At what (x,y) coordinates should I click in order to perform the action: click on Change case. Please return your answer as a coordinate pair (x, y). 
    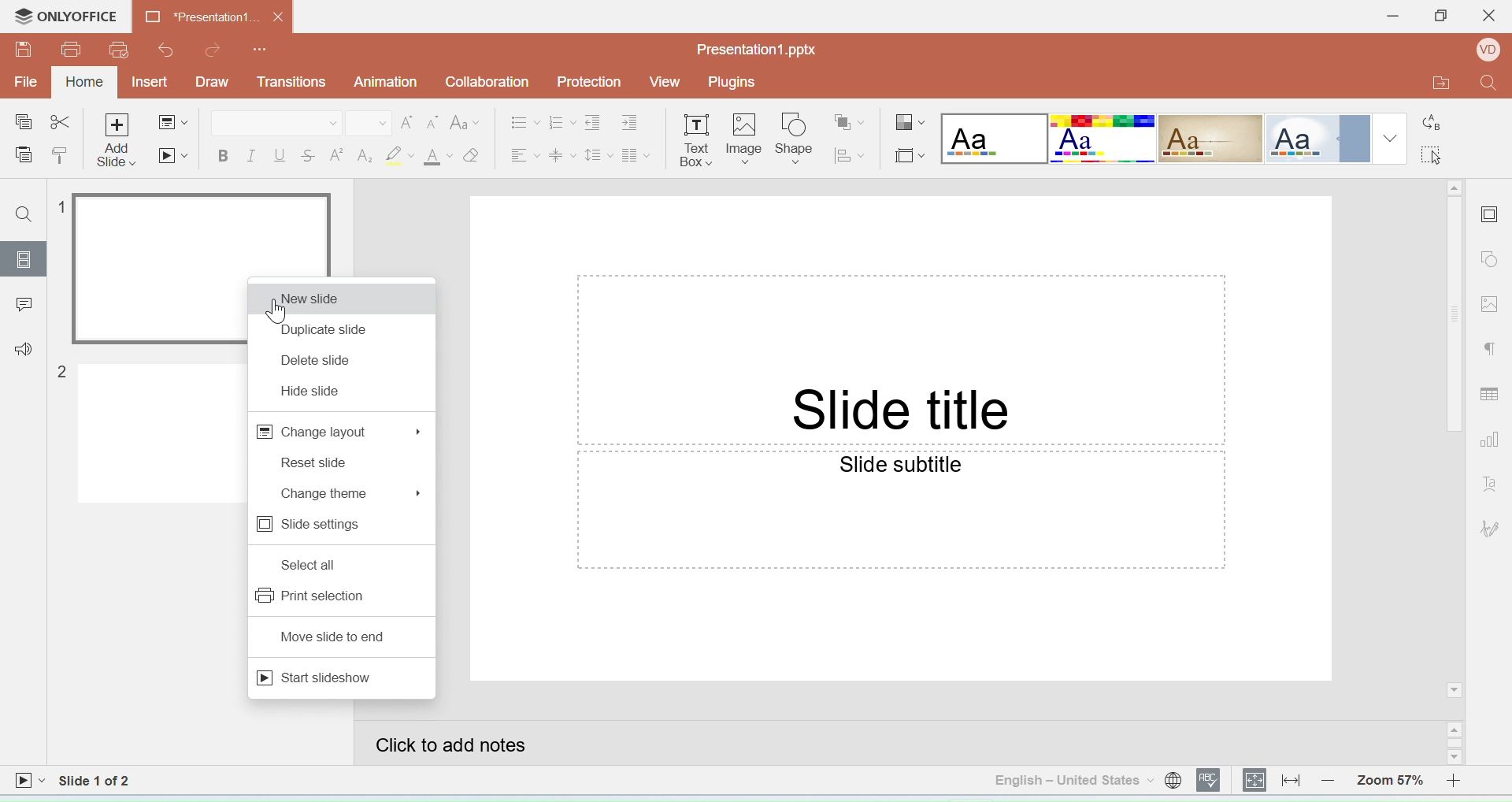
    Looking at the image, I should click on (466, 122).